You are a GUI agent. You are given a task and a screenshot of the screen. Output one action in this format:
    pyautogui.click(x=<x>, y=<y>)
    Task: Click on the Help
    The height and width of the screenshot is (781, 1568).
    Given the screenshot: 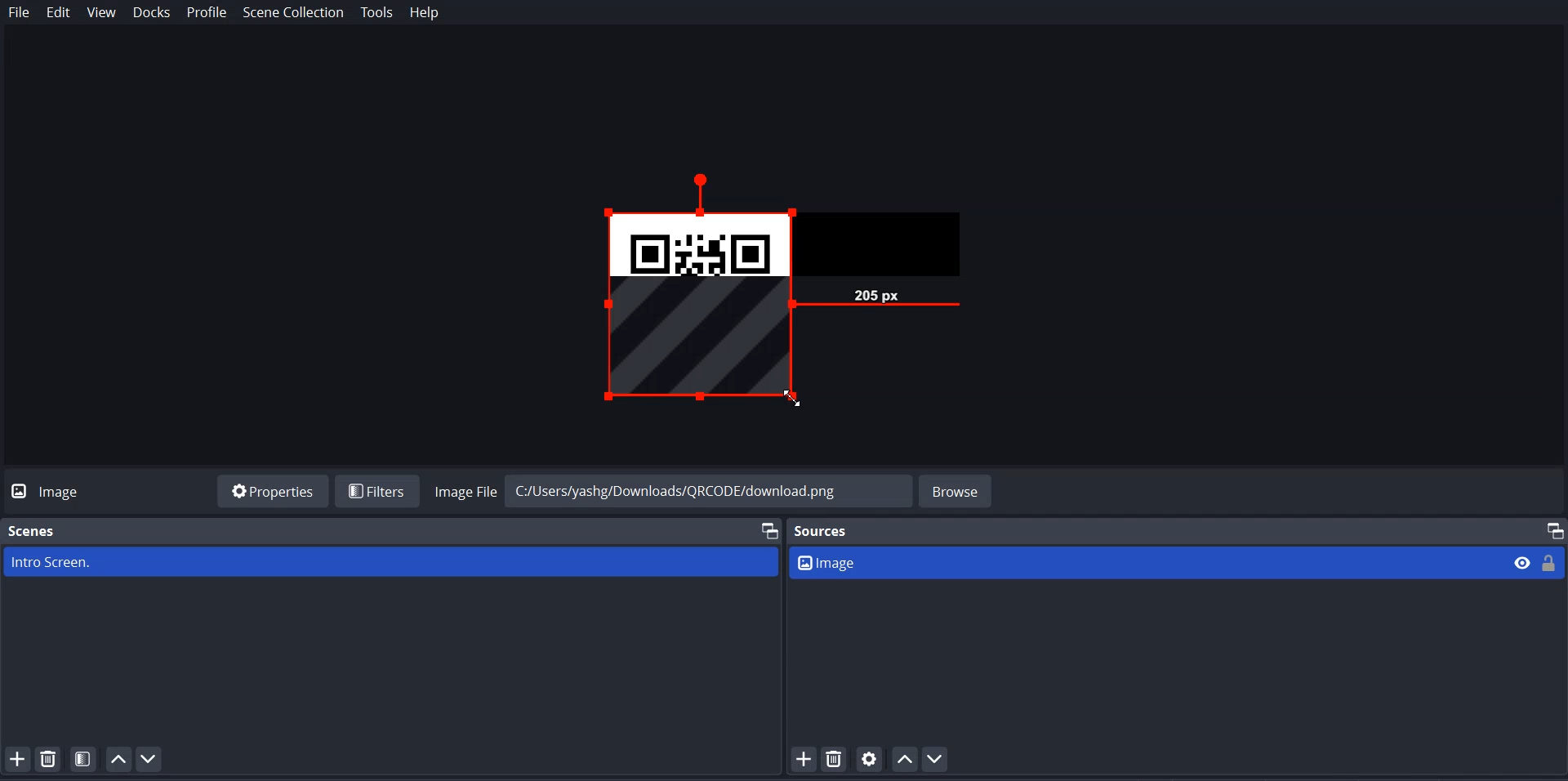 What is the action you would take?
    pyautogui.click(x=425, y=13)
    